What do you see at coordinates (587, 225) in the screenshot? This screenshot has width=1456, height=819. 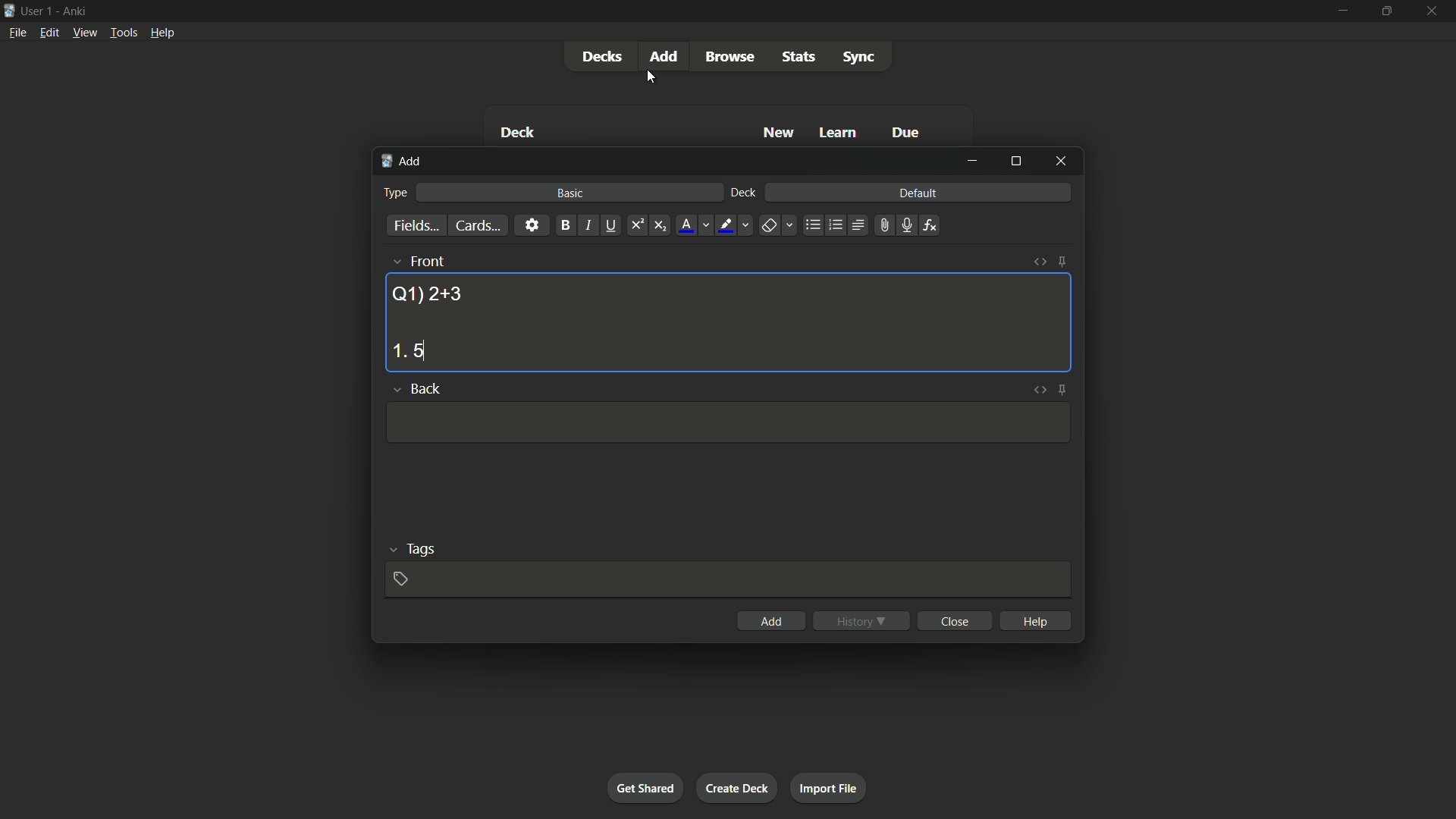 I see `italic` at bounding box center [587, 225].